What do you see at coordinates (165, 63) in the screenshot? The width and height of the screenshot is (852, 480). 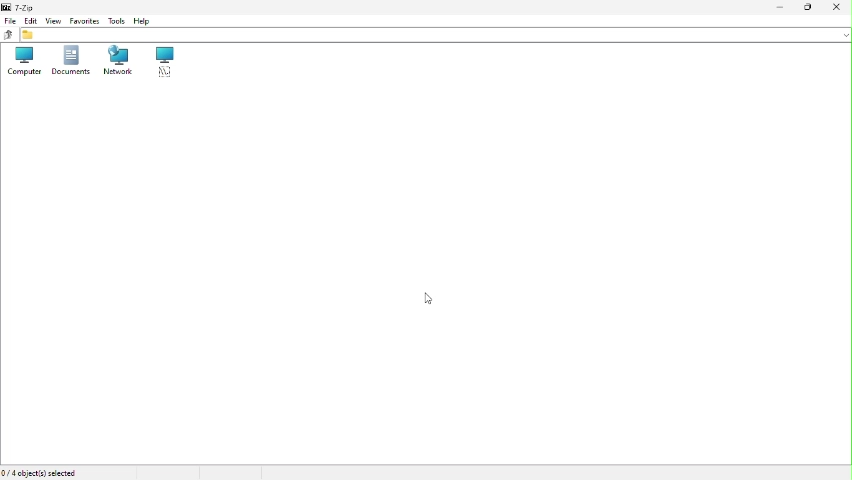 I see `Root` at bounding box center [165, 63].